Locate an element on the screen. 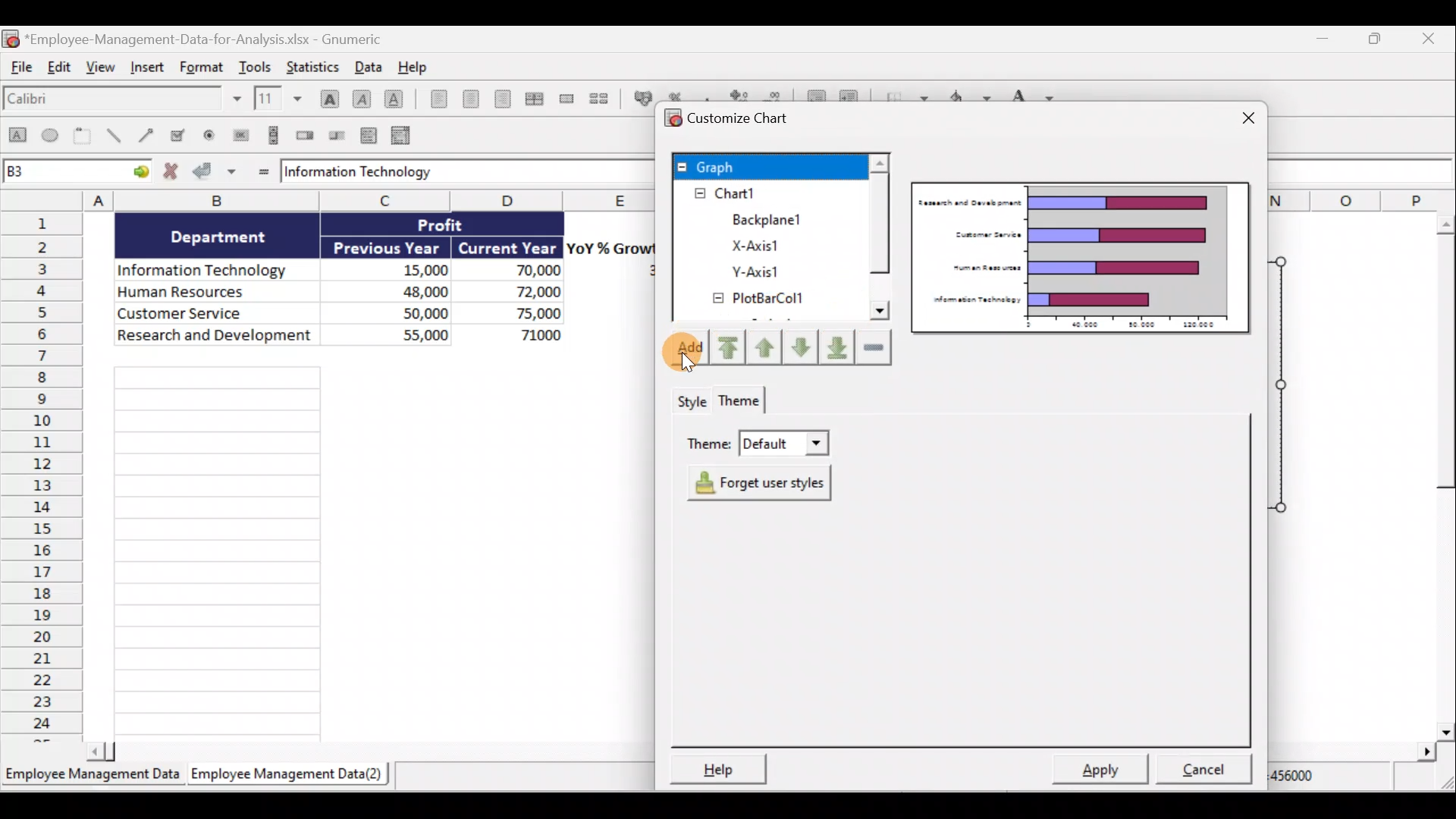 Image resolution: width=1456 pixels, height=819 pixels. cursor is located at coordinates (686, 362).